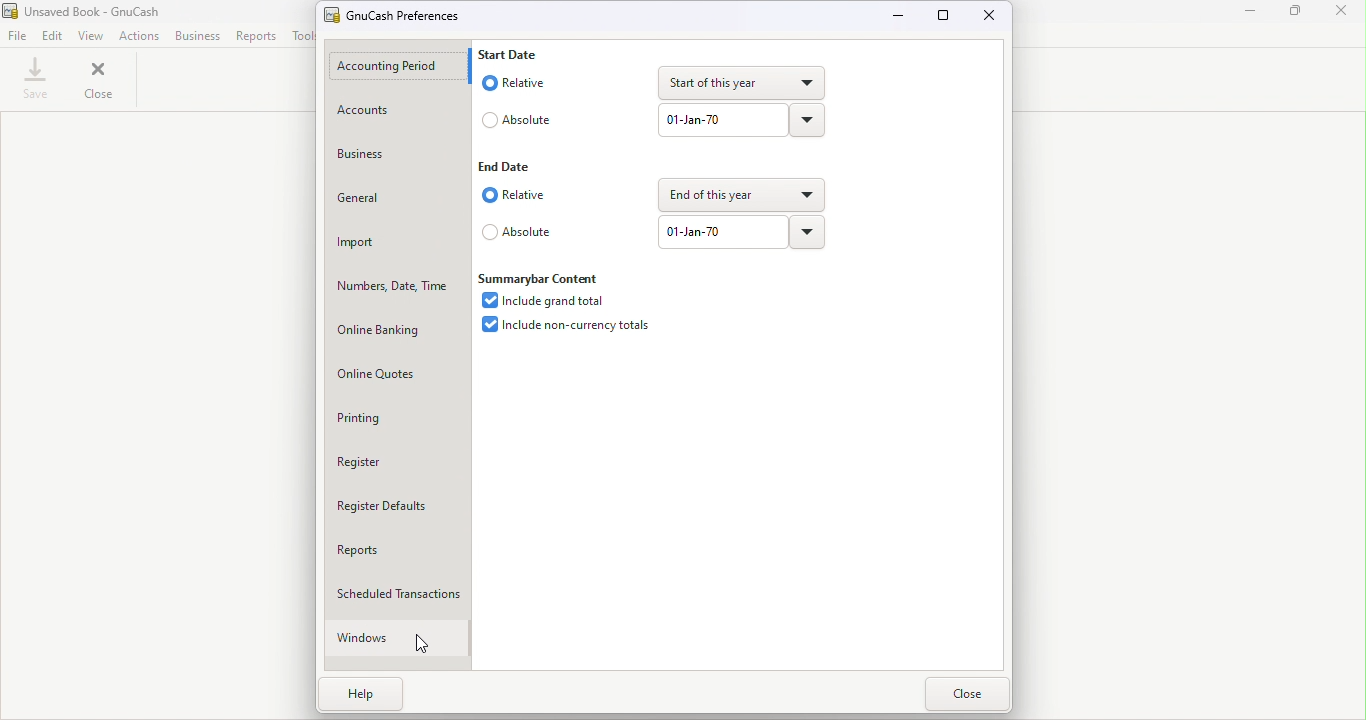 This screenshot has height=720, width=1366. I want to click on Business, so click(391, 160).